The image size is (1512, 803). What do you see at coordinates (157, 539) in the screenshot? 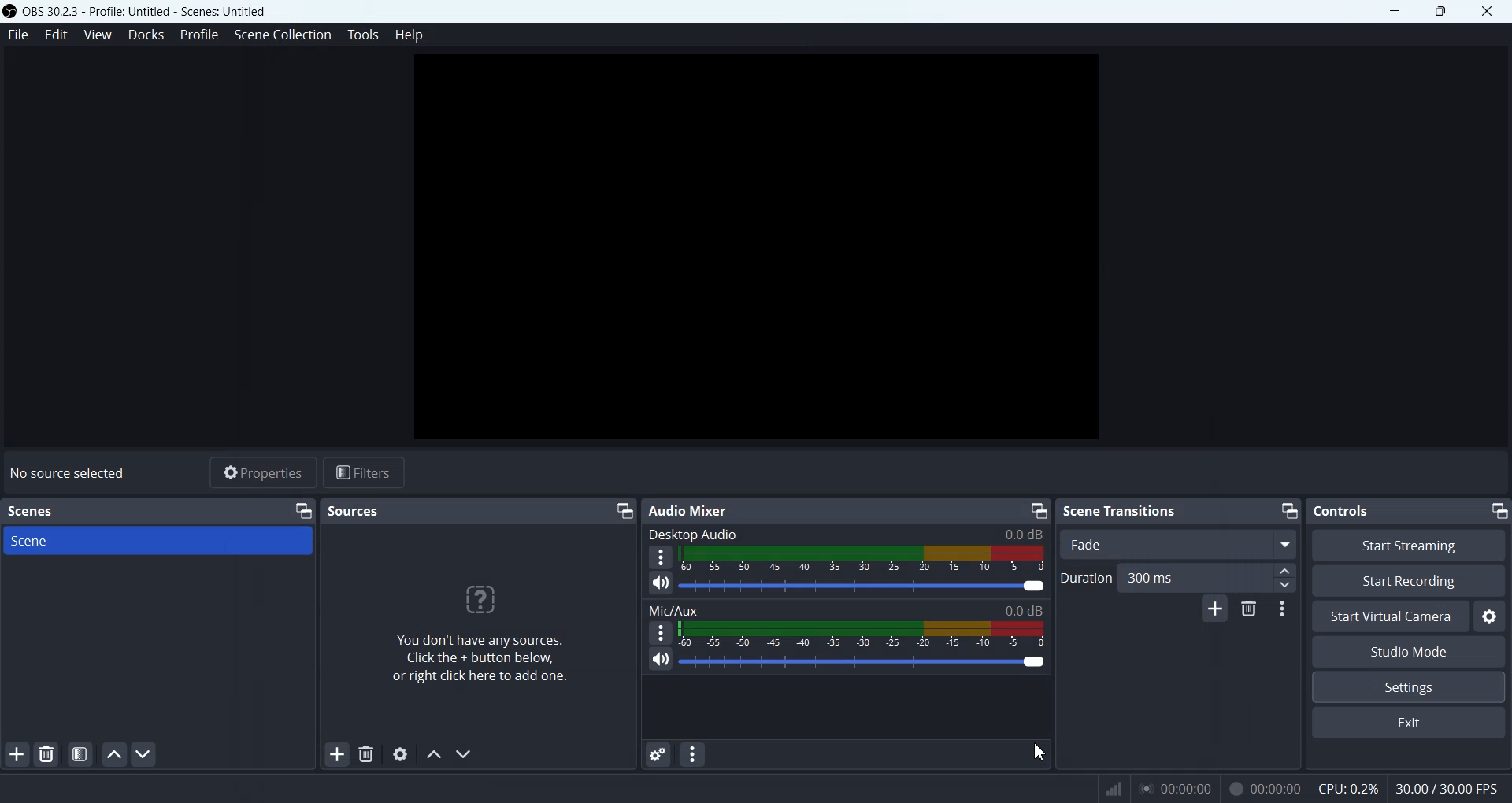
I see `Scene ` at bounding box center [157, 539].